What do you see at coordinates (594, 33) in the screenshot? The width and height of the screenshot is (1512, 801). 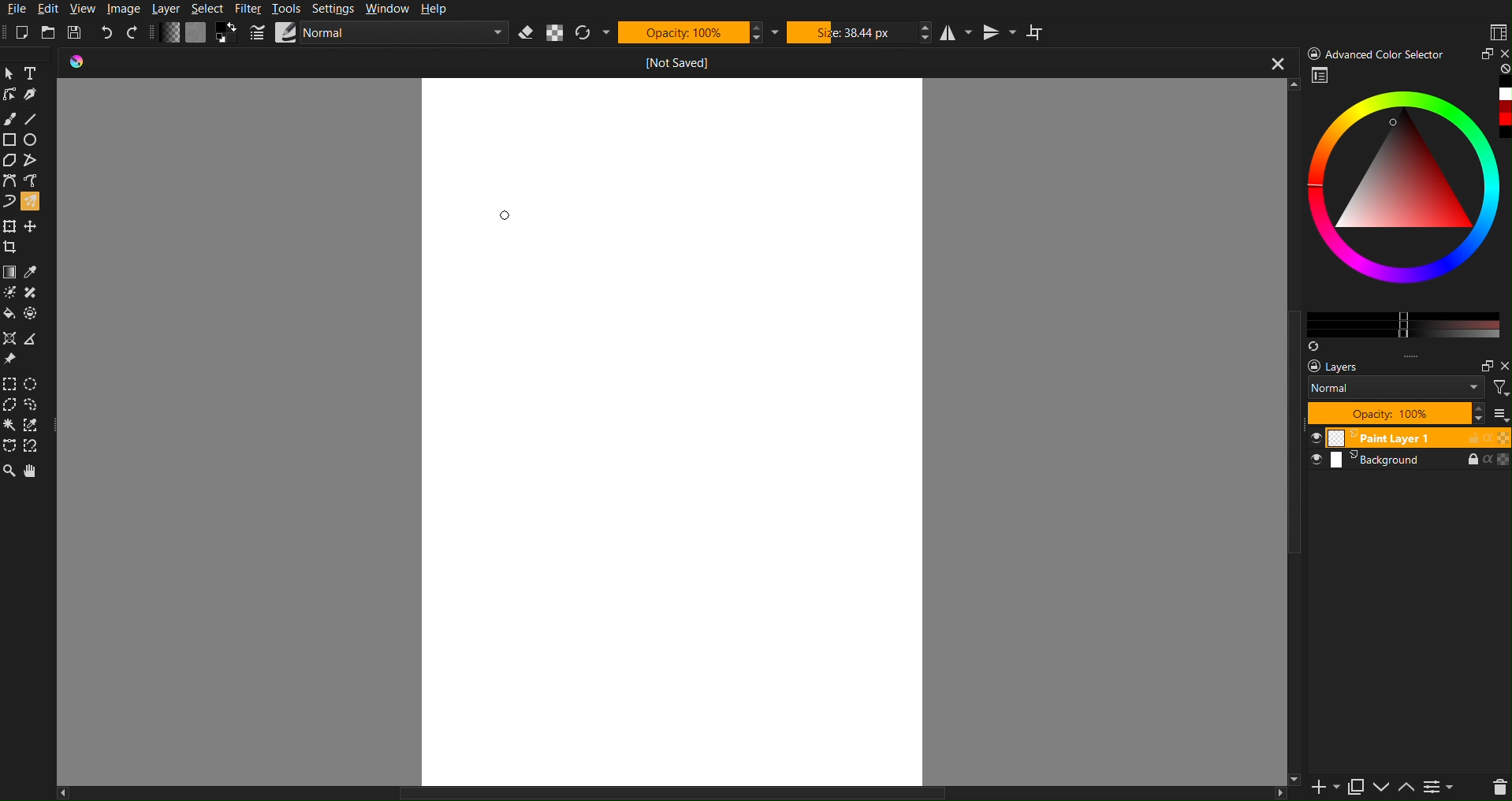 I see `Refresh` at bounding box center [594, 33].